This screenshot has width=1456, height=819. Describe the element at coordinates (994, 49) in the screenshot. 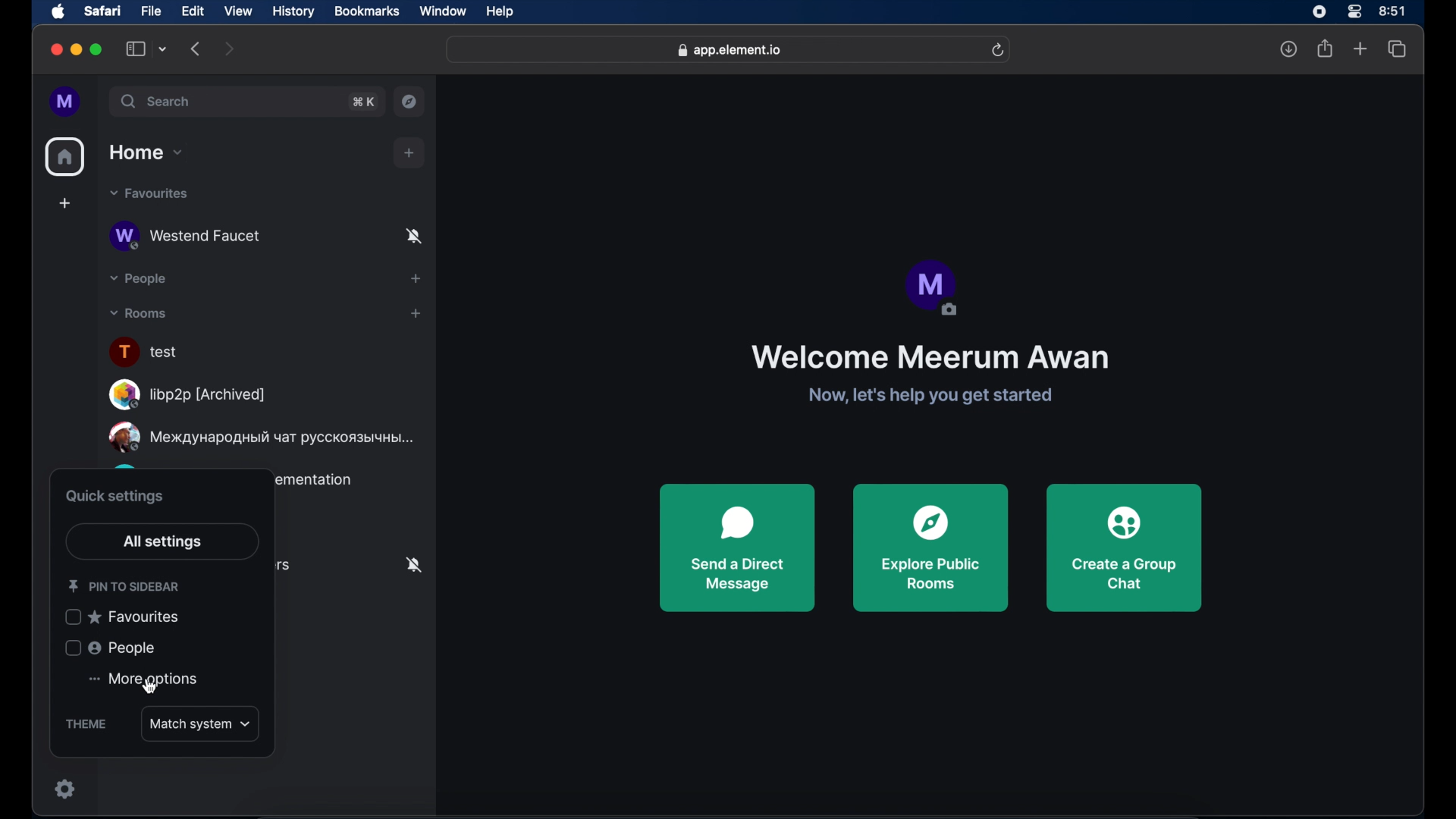

I see `refresh` at that location.